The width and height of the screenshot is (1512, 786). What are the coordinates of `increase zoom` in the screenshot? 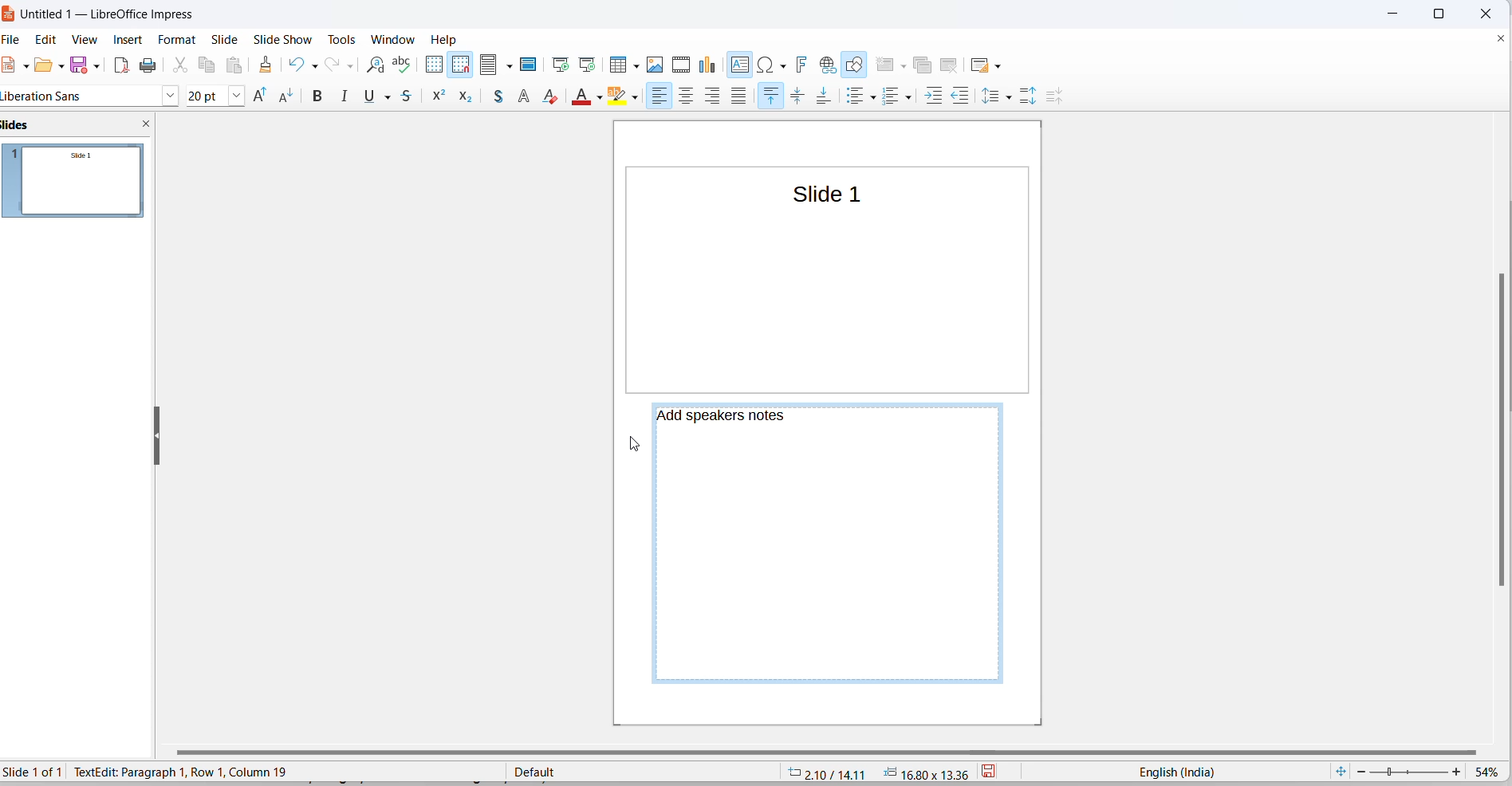 It's located at (1458, 773).